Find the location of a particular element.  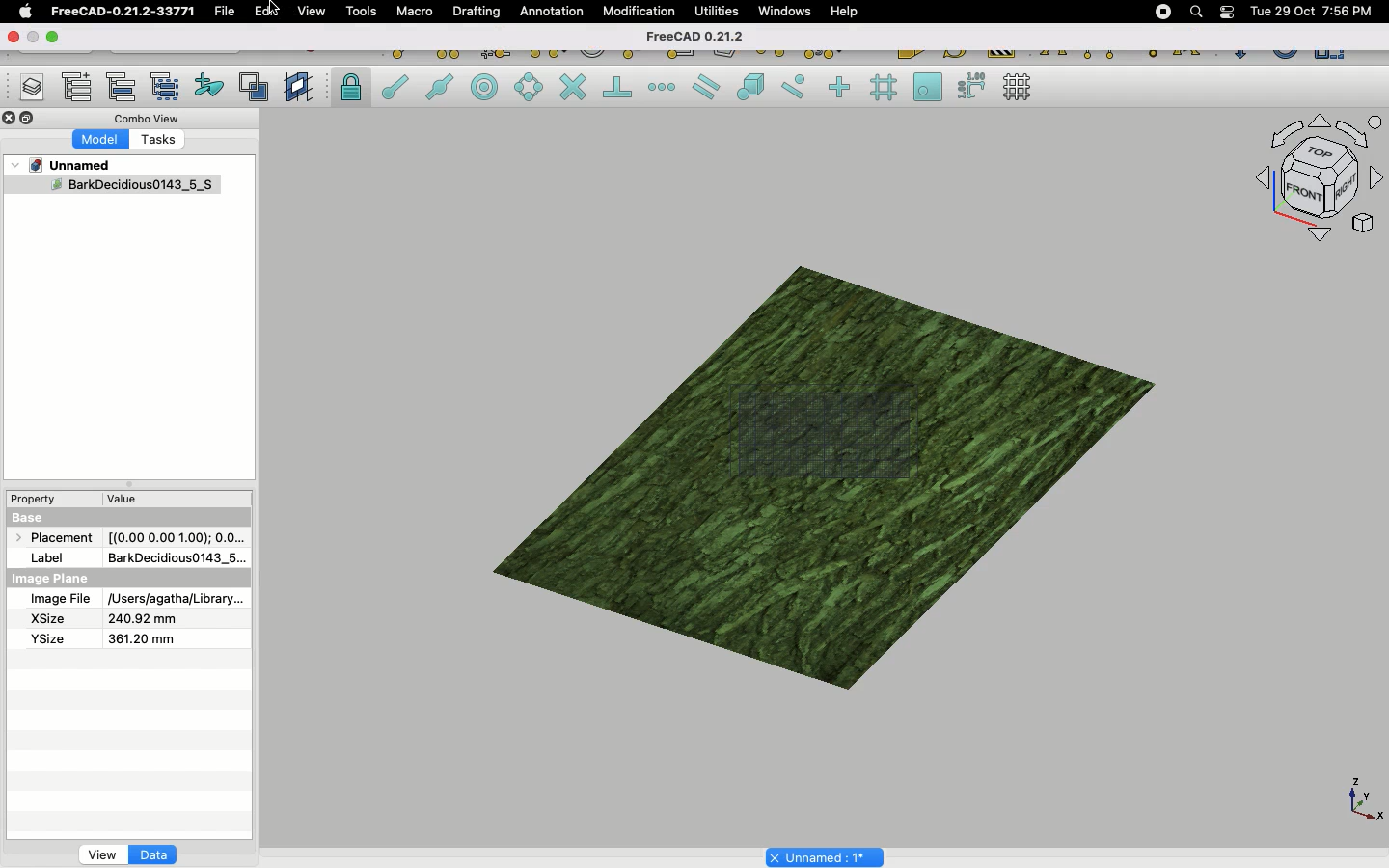

Snap extension is located at coordinates (664, 88).